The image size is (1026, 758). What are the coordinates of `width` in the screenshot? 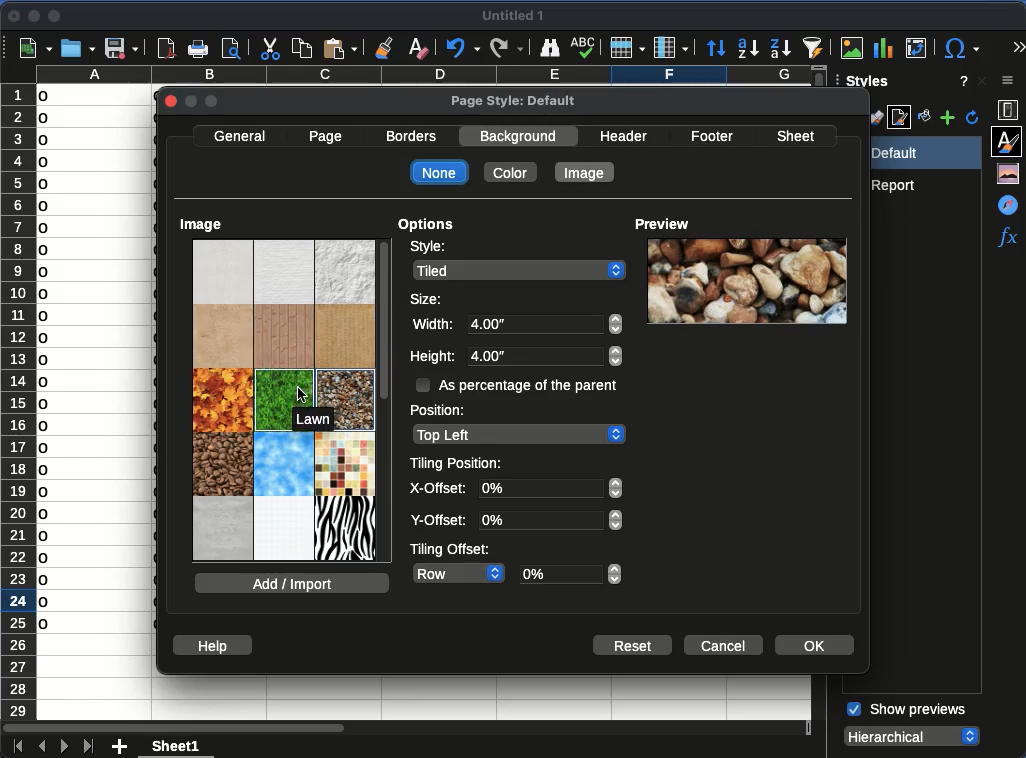 It's located at (431, 326).